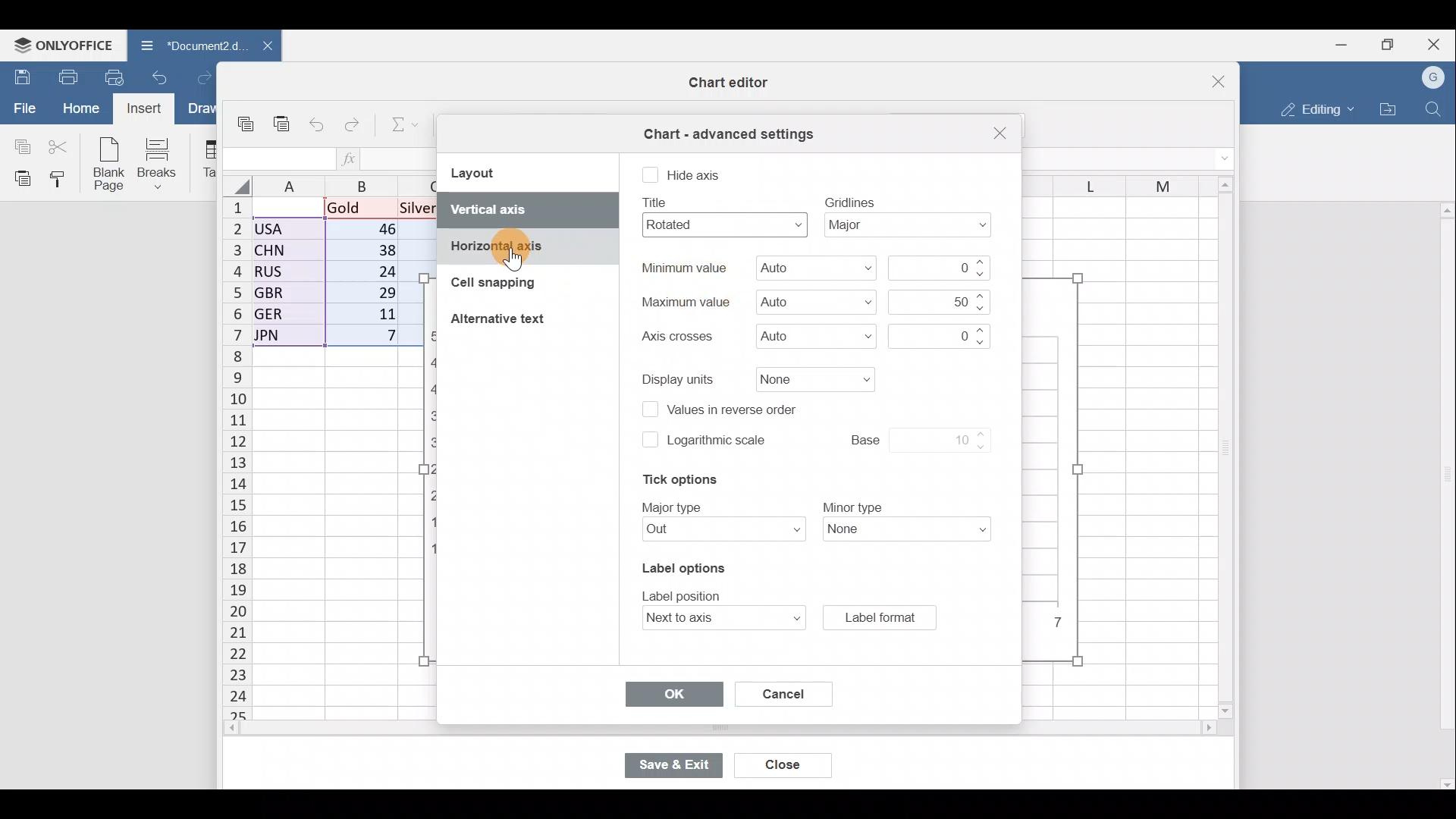  What do you see at coordinates (146, 110) in the screenshot?
I see `Cursor on Insert` at bounding box center [146, 110].